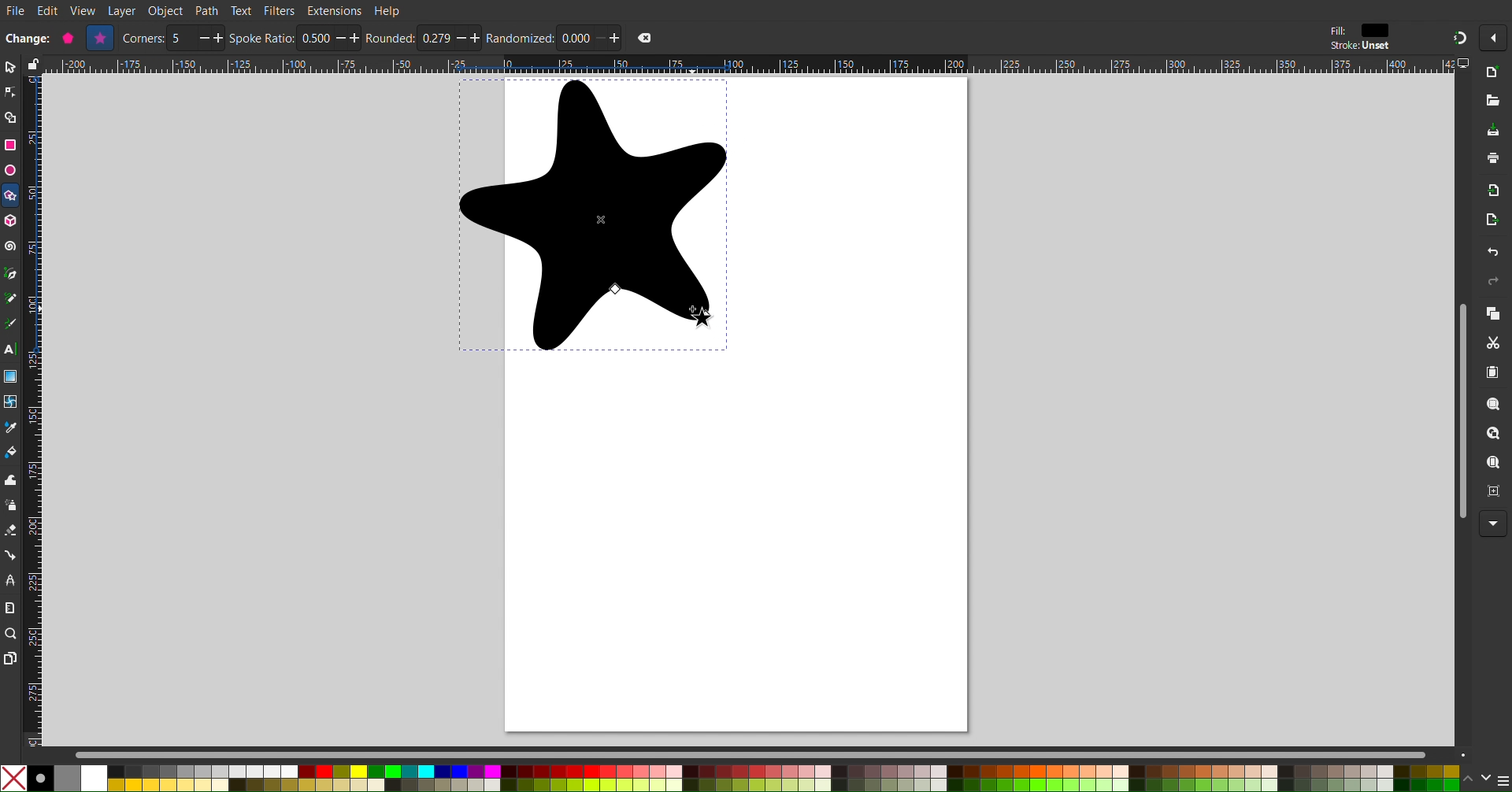 The width and height of the screenshot is (1512, 792). I want to click on Select, so click(9, 68).